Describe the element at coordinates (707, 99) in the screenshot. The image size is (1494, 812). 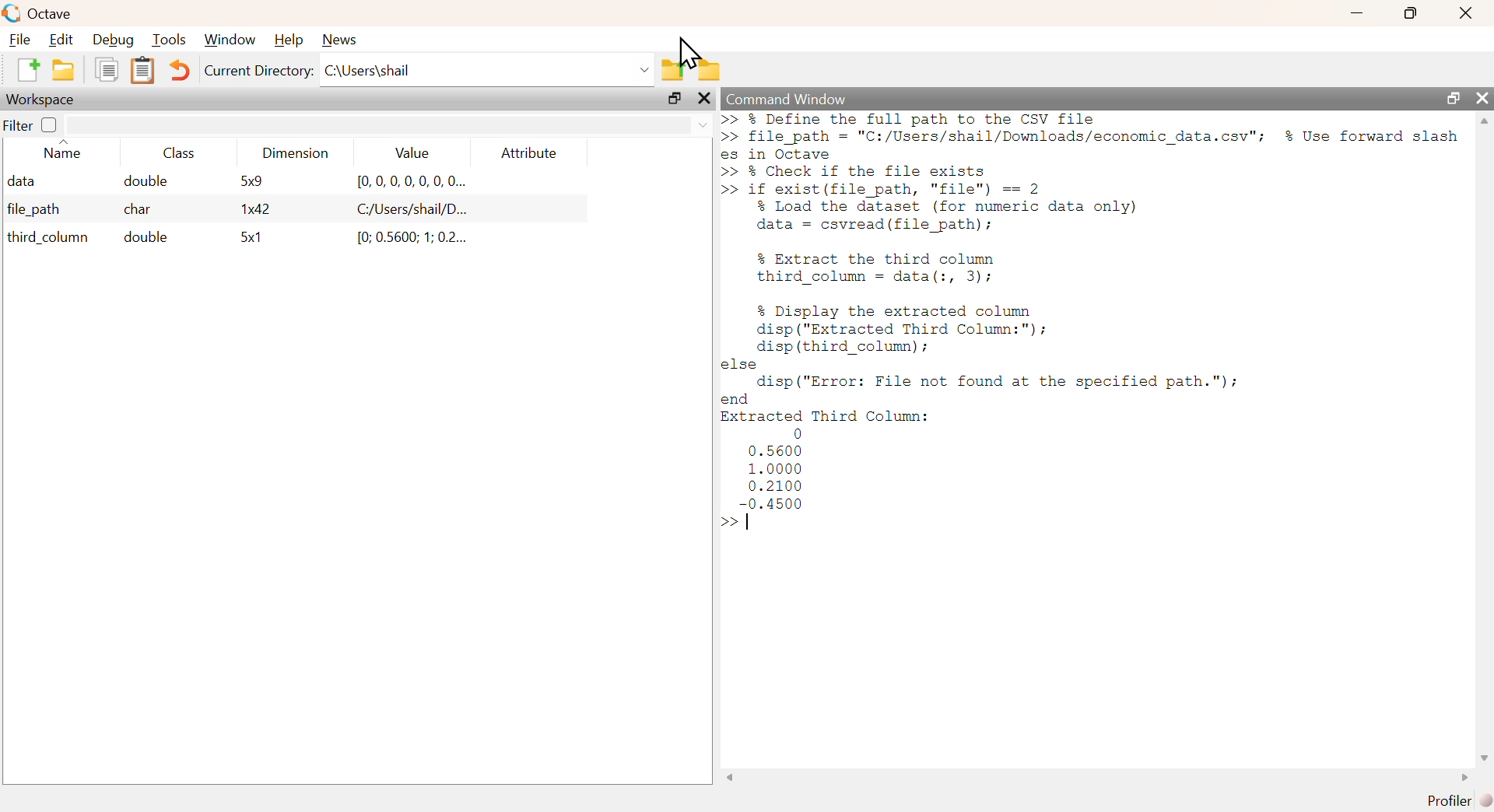
I see `close` at that location.